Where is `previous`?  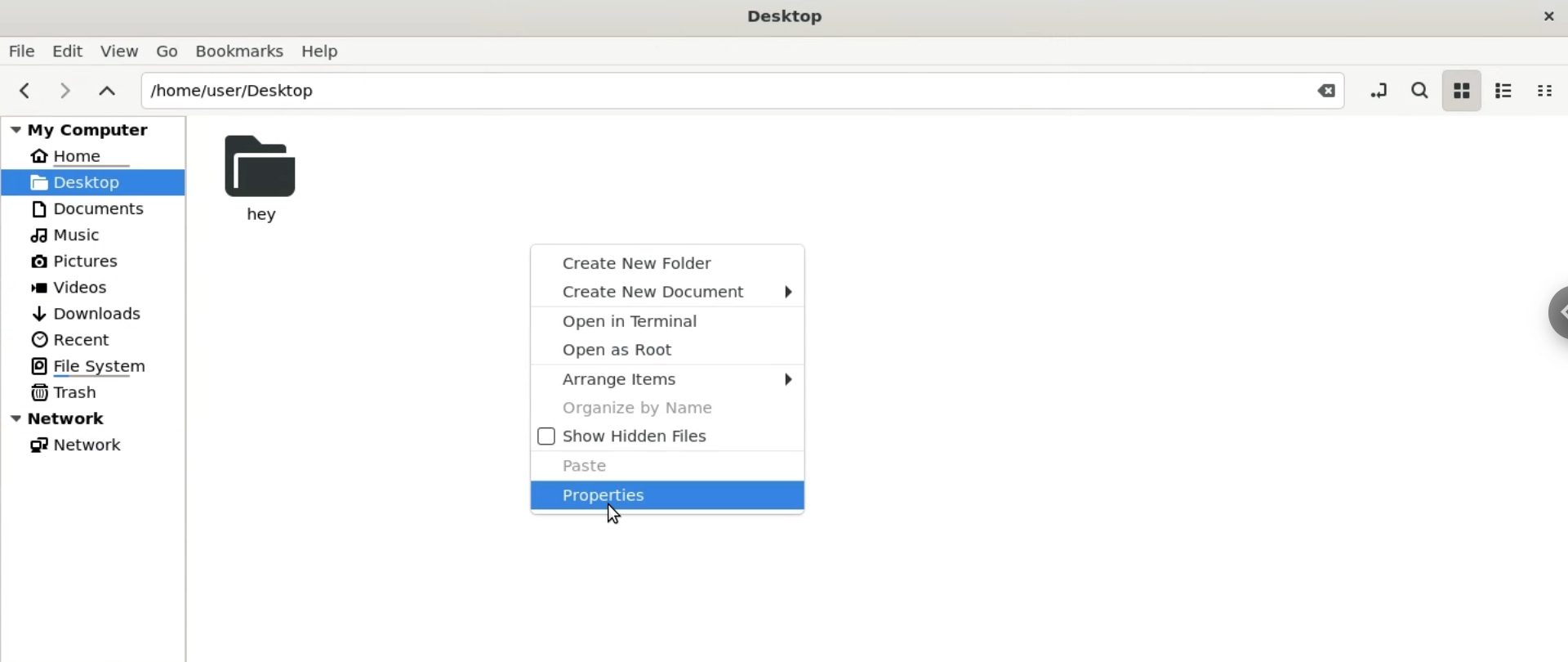
previous is located at coordinates (23, 88).